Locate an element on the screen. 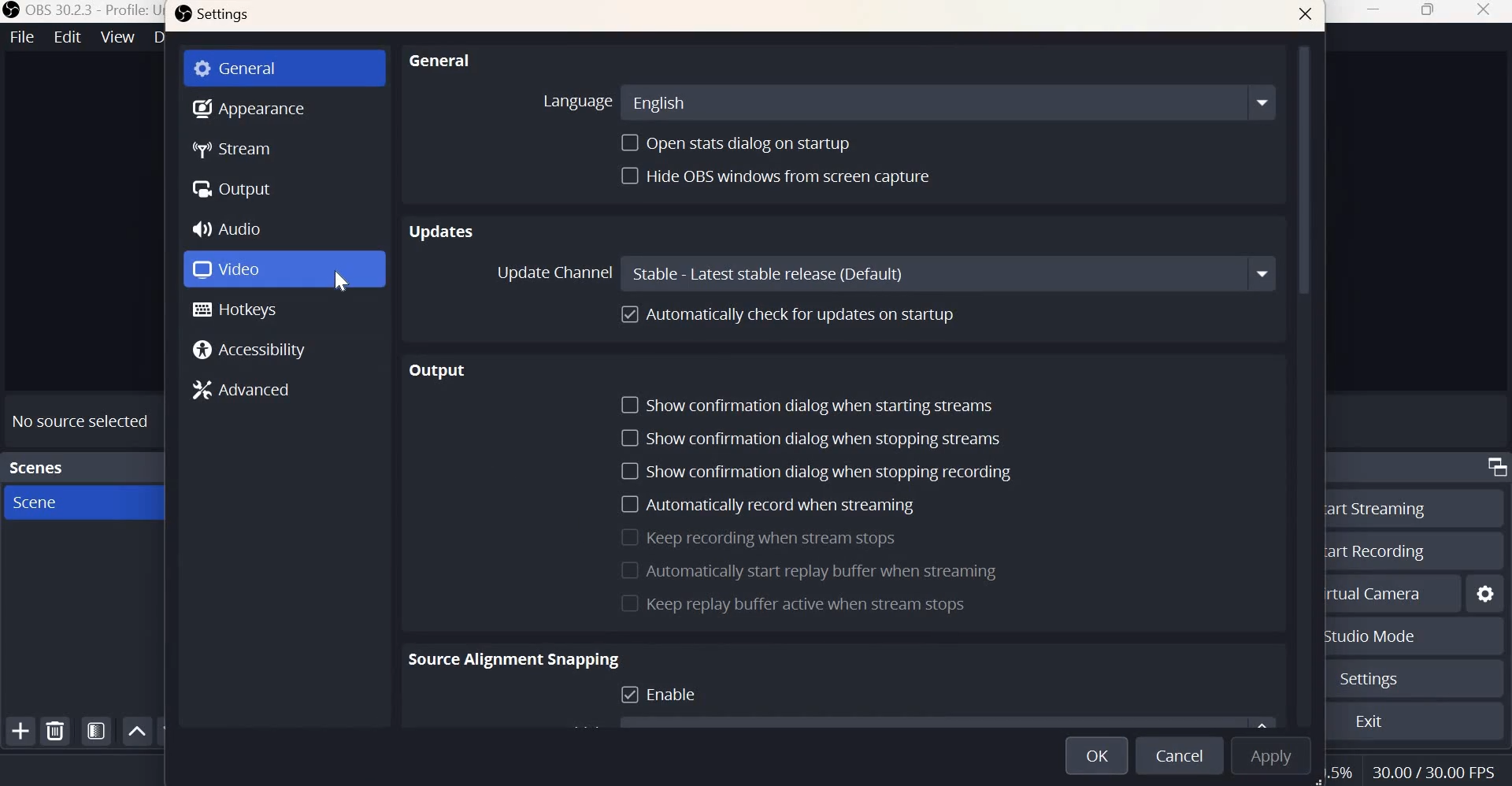  Studio mode is located at coordinates (1369, 637).